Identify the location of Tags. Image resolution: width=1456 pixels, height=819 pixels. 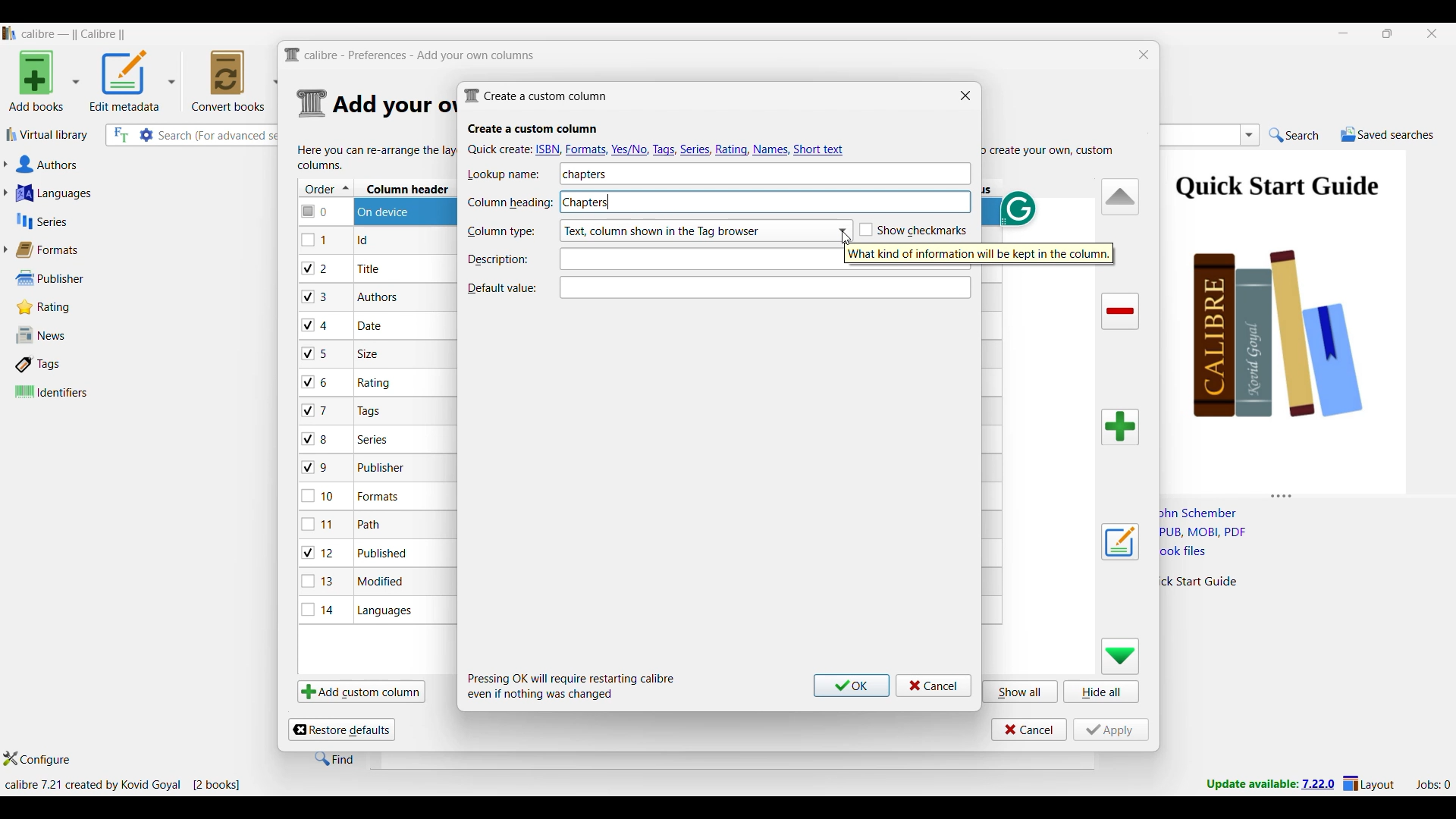
(71, 364).